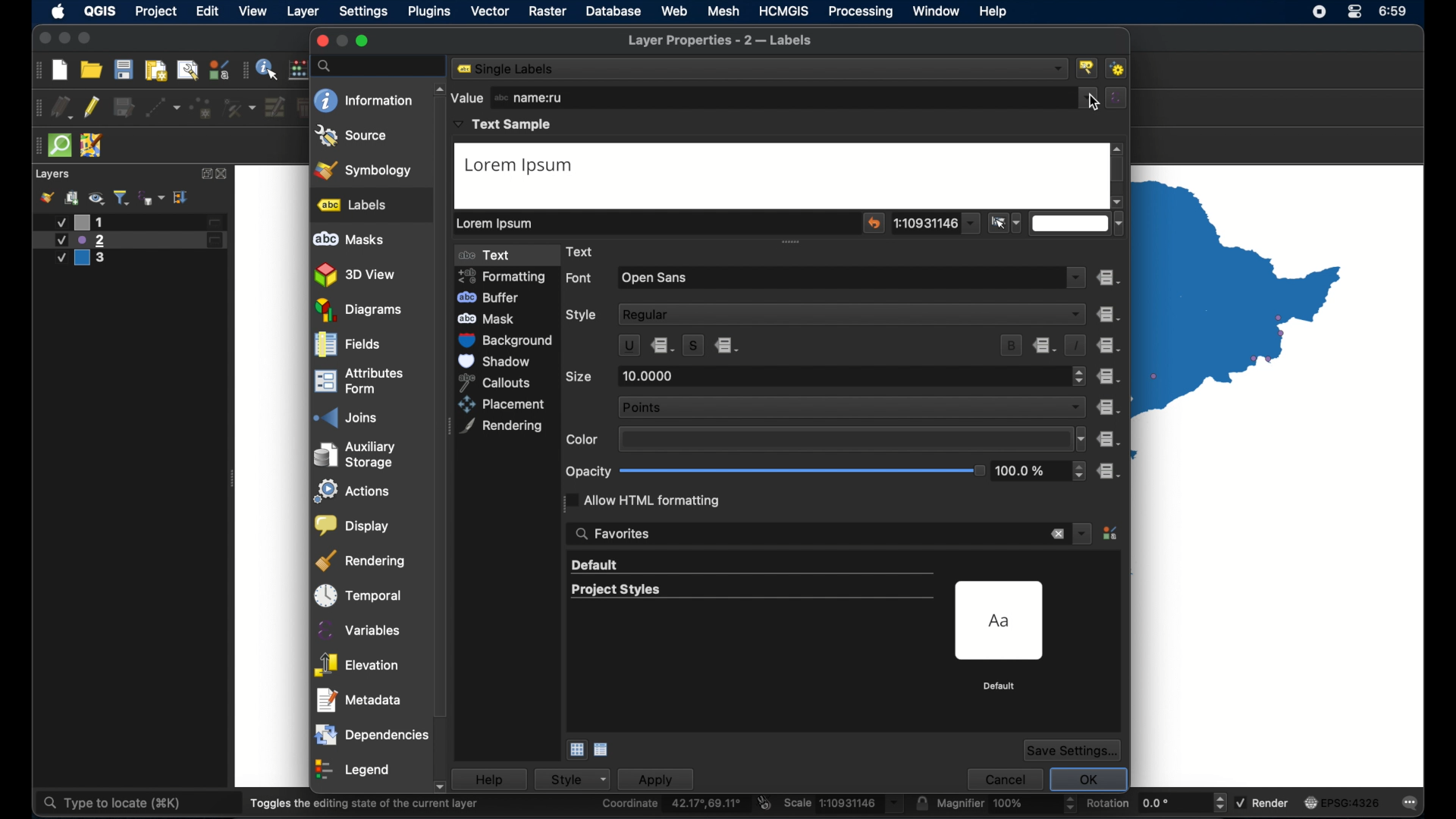 The image size is (1456, 819). Describe the element at coordinates (489, 11) in the screenshot. I see `vector` at that location.